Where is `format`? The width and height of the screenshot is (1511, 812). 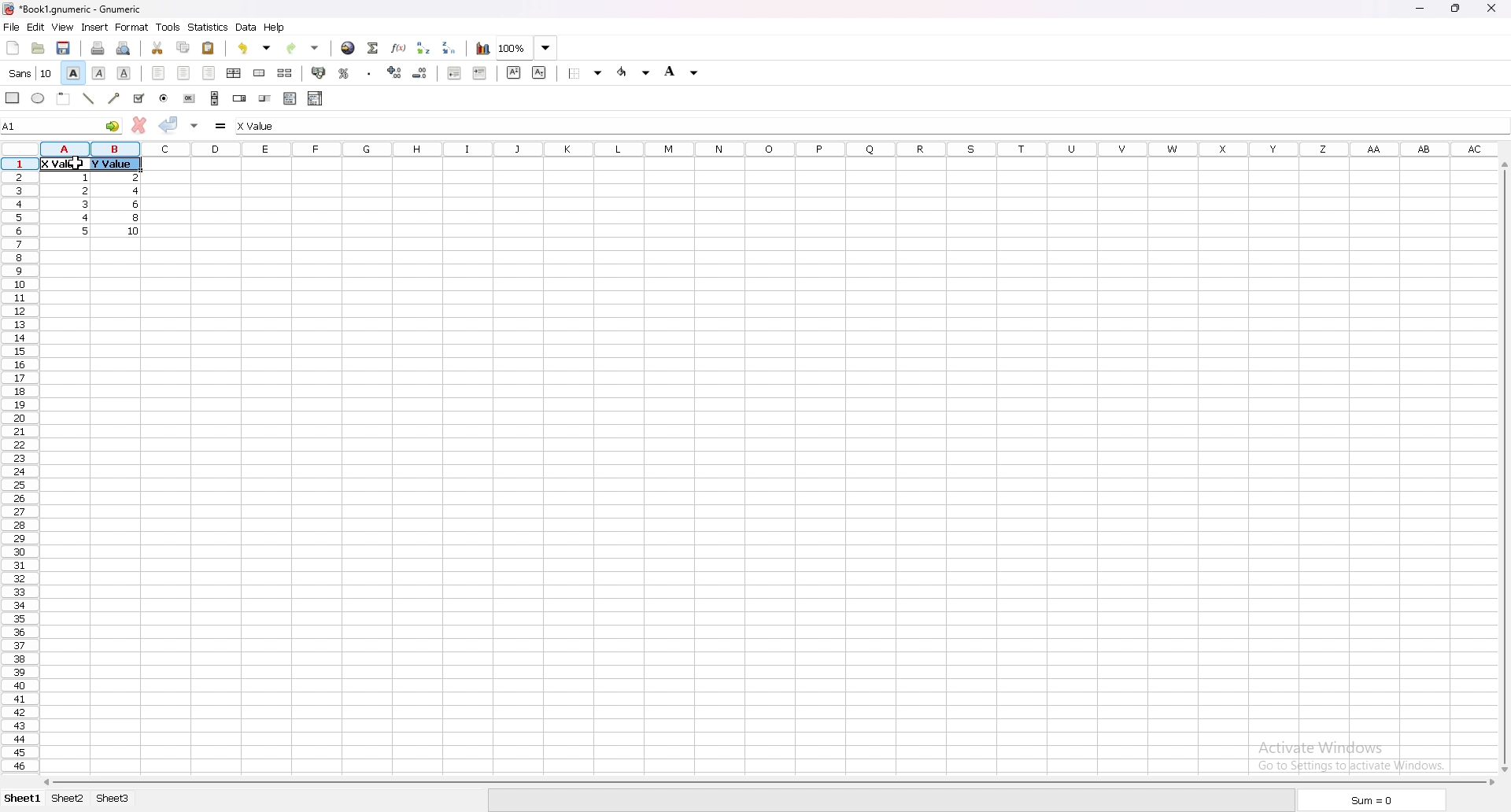 format is located at coordinates (132, 27).